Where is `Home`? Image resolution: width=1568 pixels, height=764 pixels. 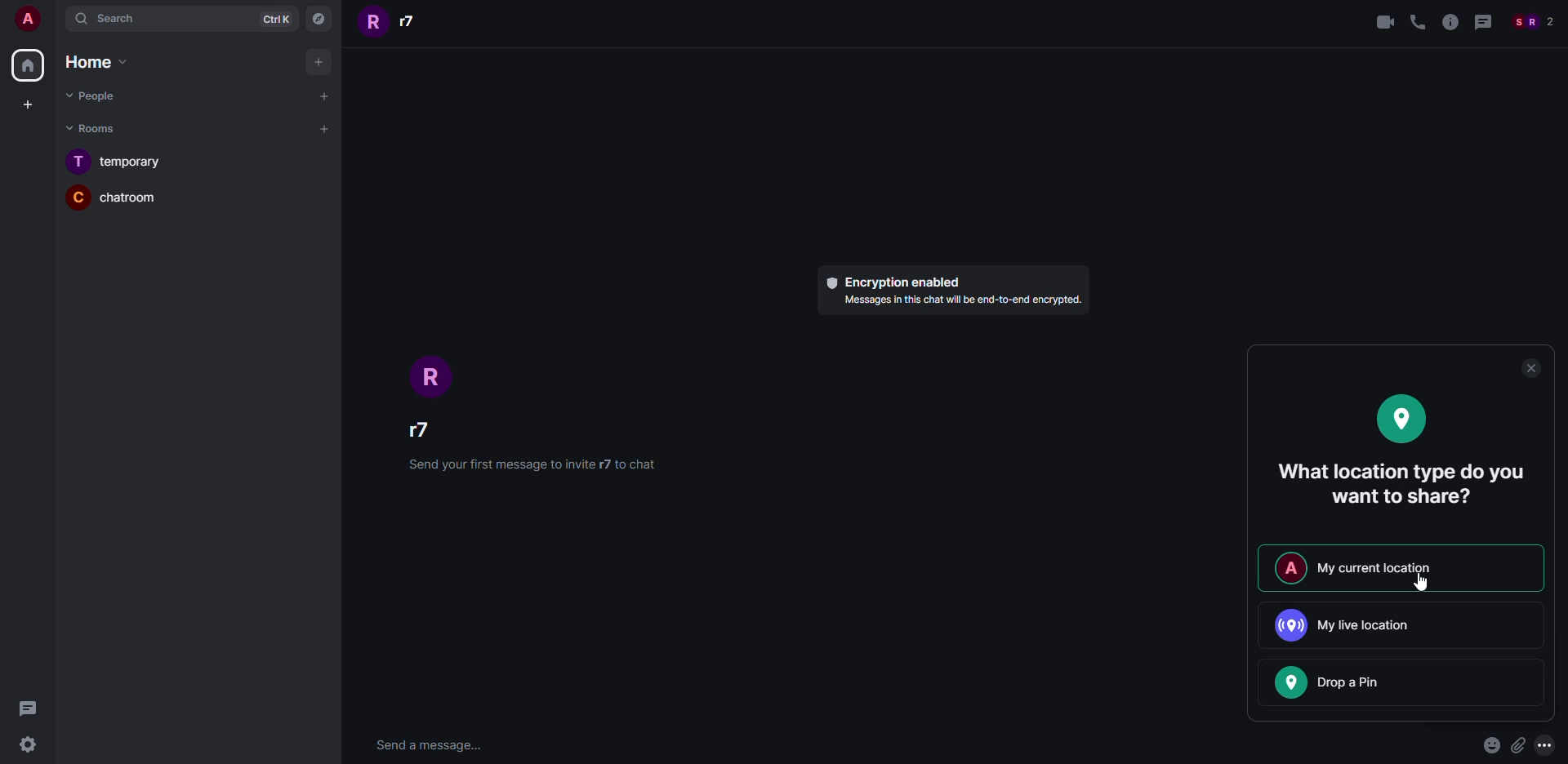
Home is located at coordinates (91, 61).